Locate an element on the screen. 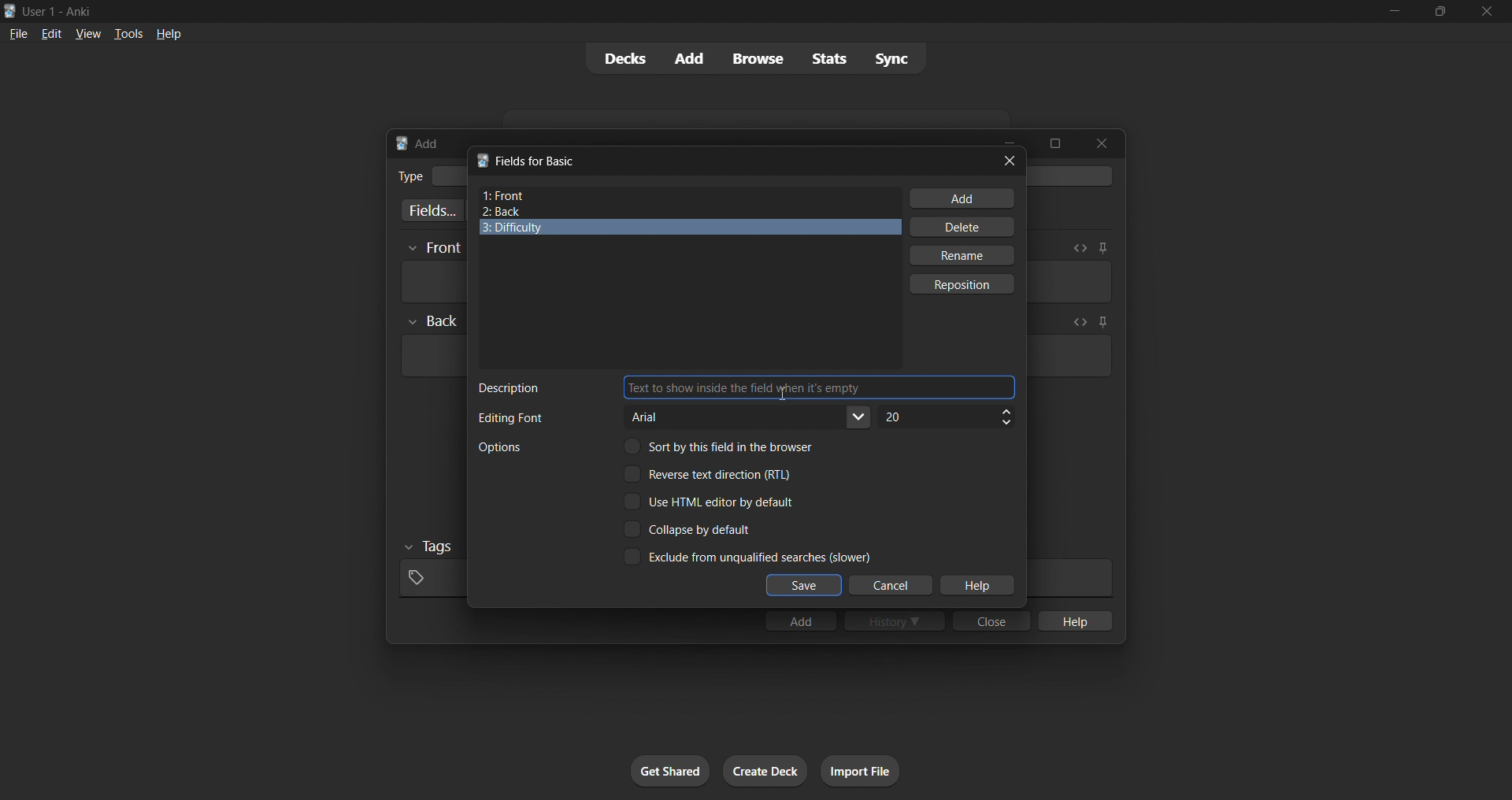  get shared is located at coordinates (670, 771).